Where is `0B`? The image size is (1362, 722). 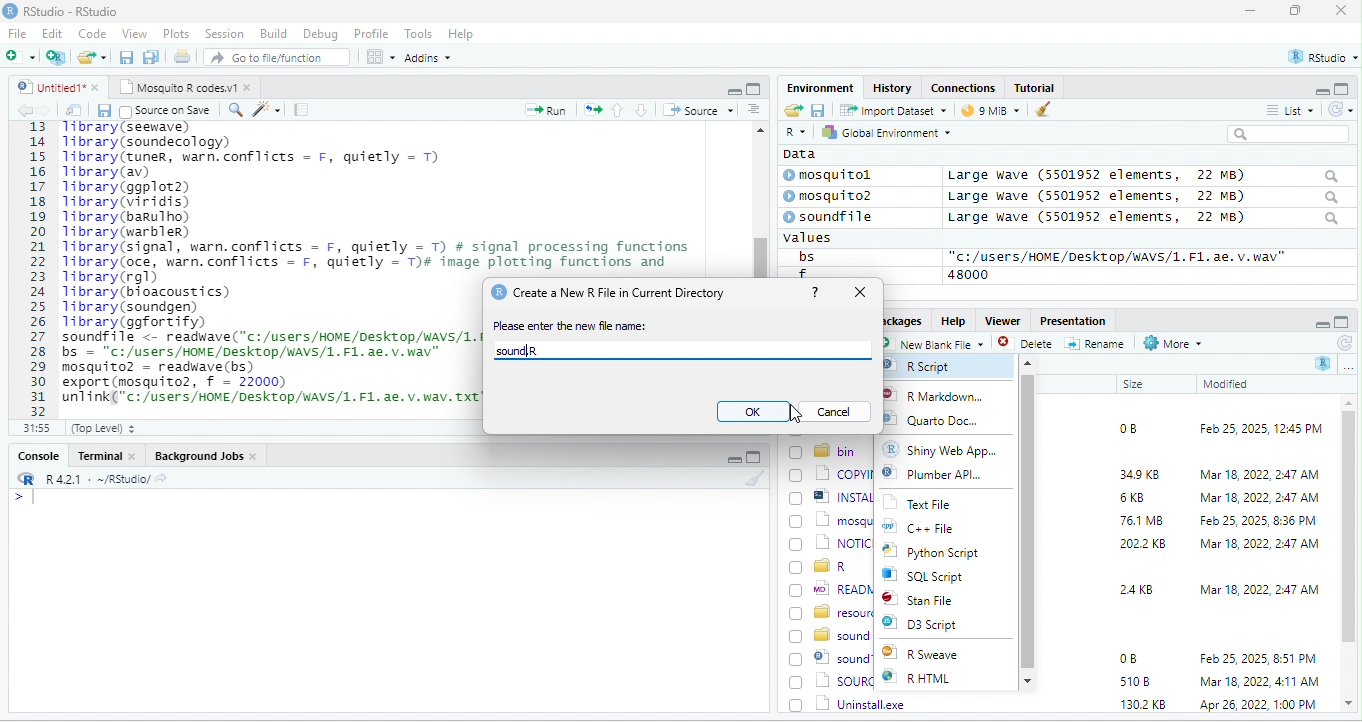 0B is located at coordinates (1121, 426).